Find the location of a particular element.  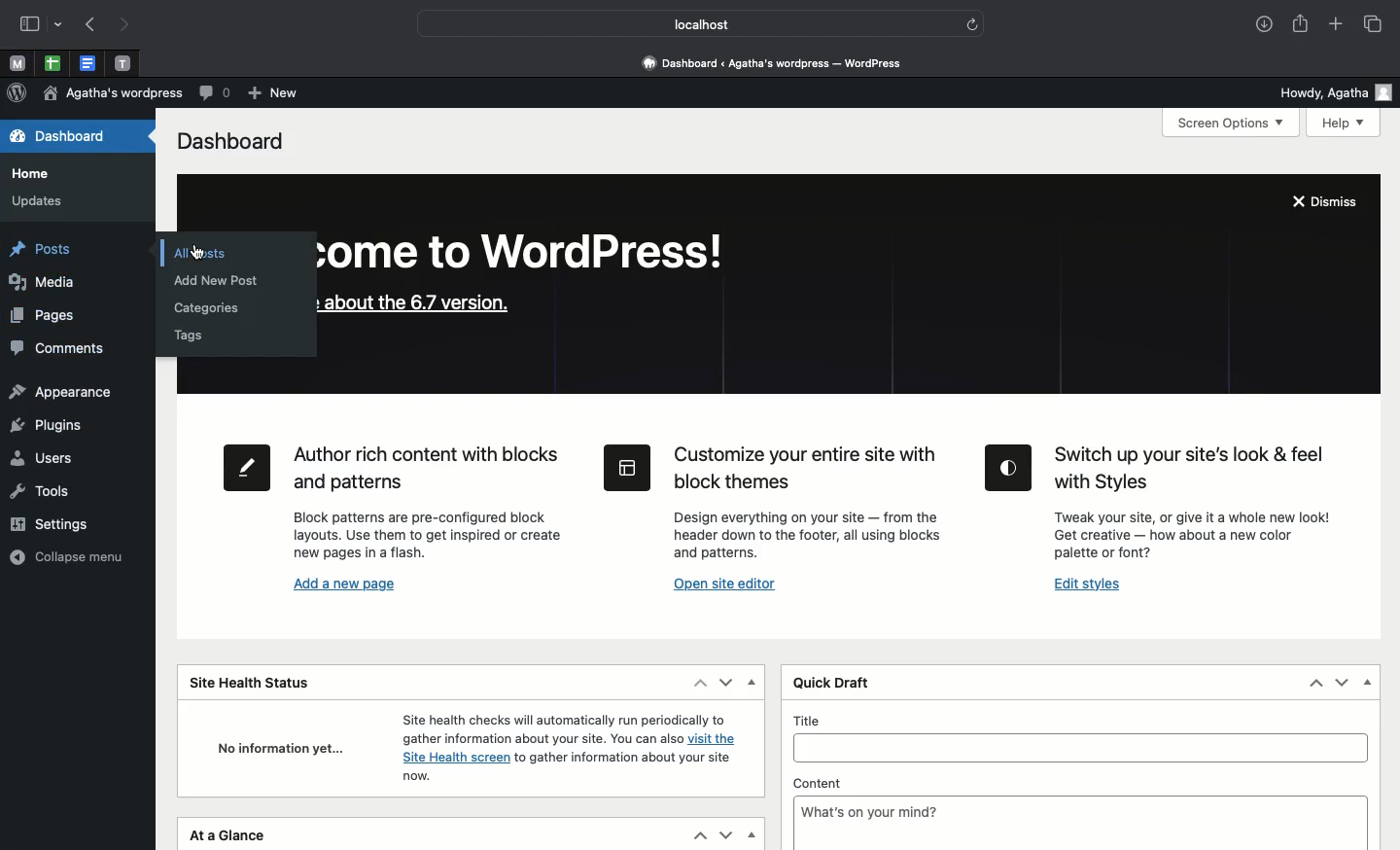

Users is located at coordinates (43, 457).